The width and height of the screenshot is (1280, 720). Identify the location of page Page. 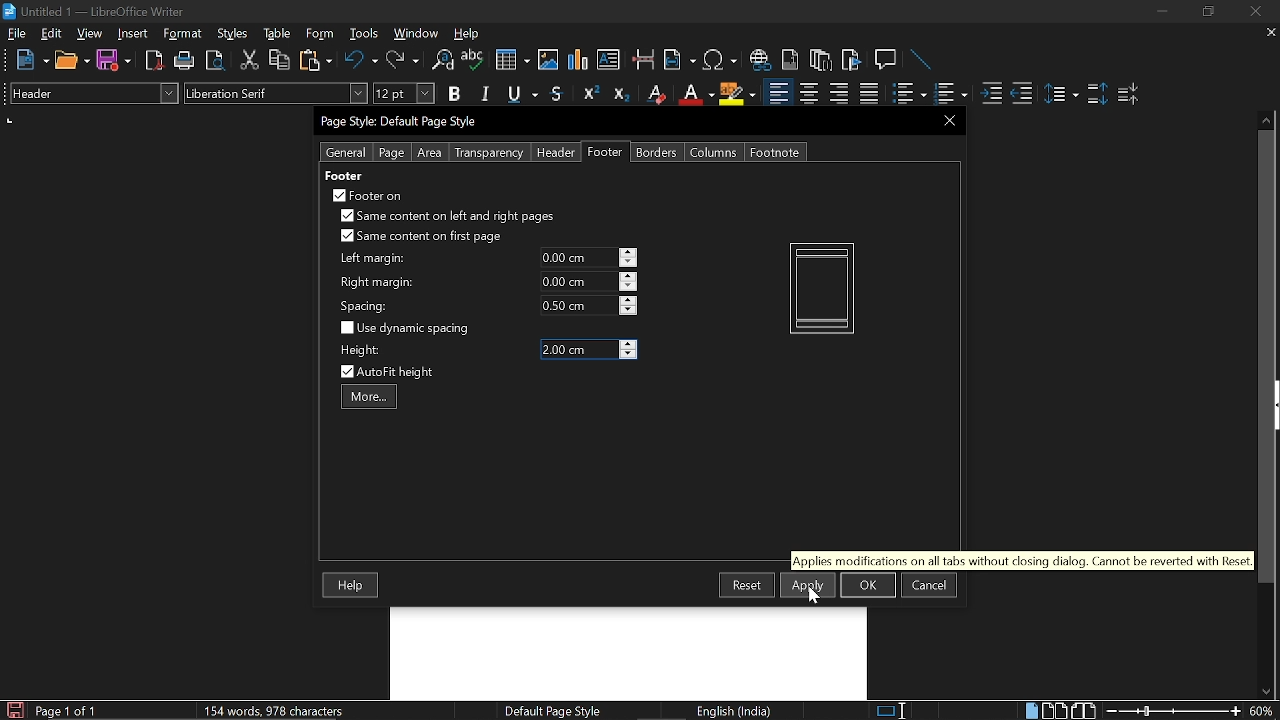
(391, 153).